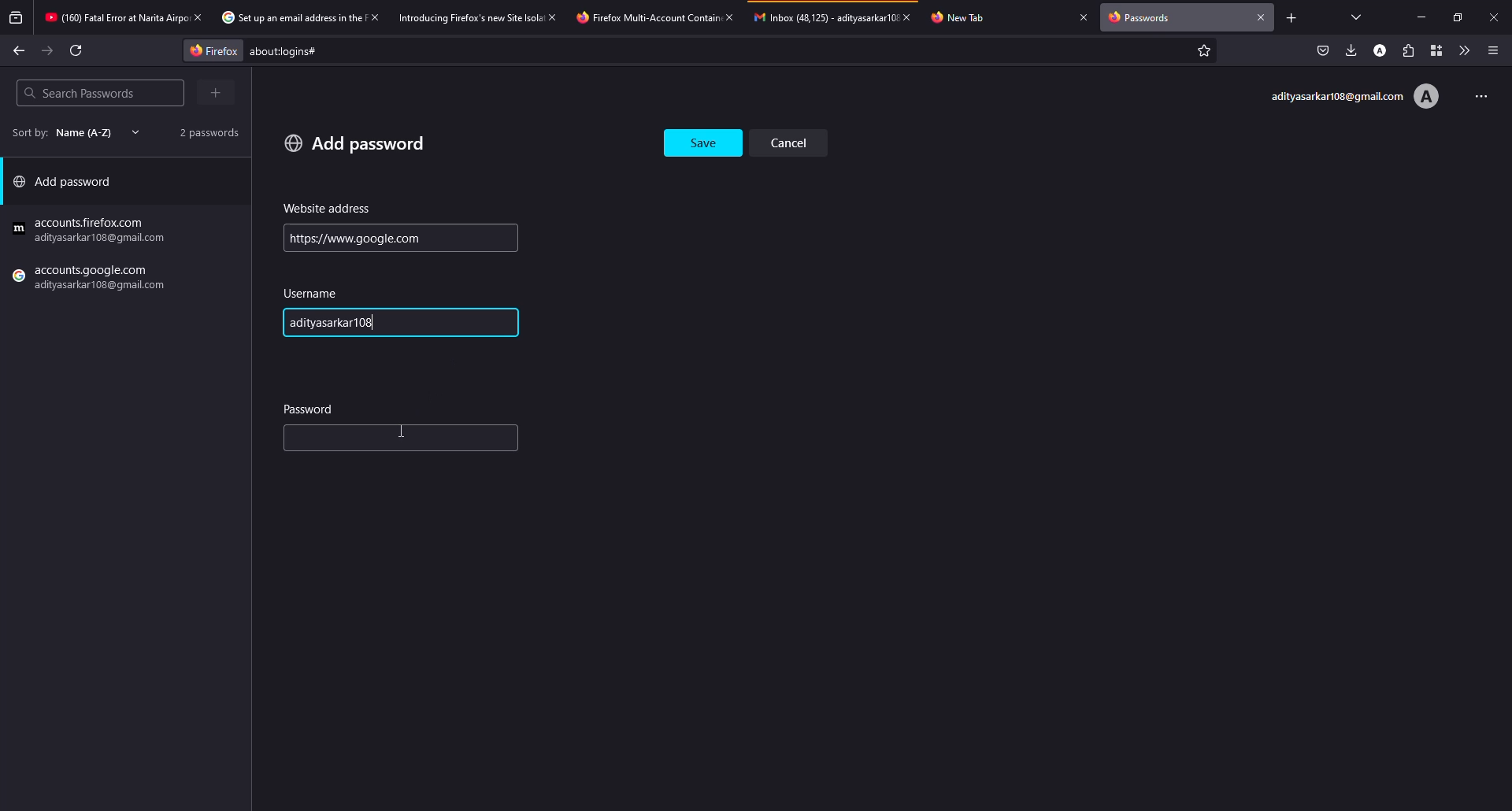 This screenshot has height=811, width=1512. Describe the element at coordinates (1382, 50) in the screenshot. I see `account` at that location.